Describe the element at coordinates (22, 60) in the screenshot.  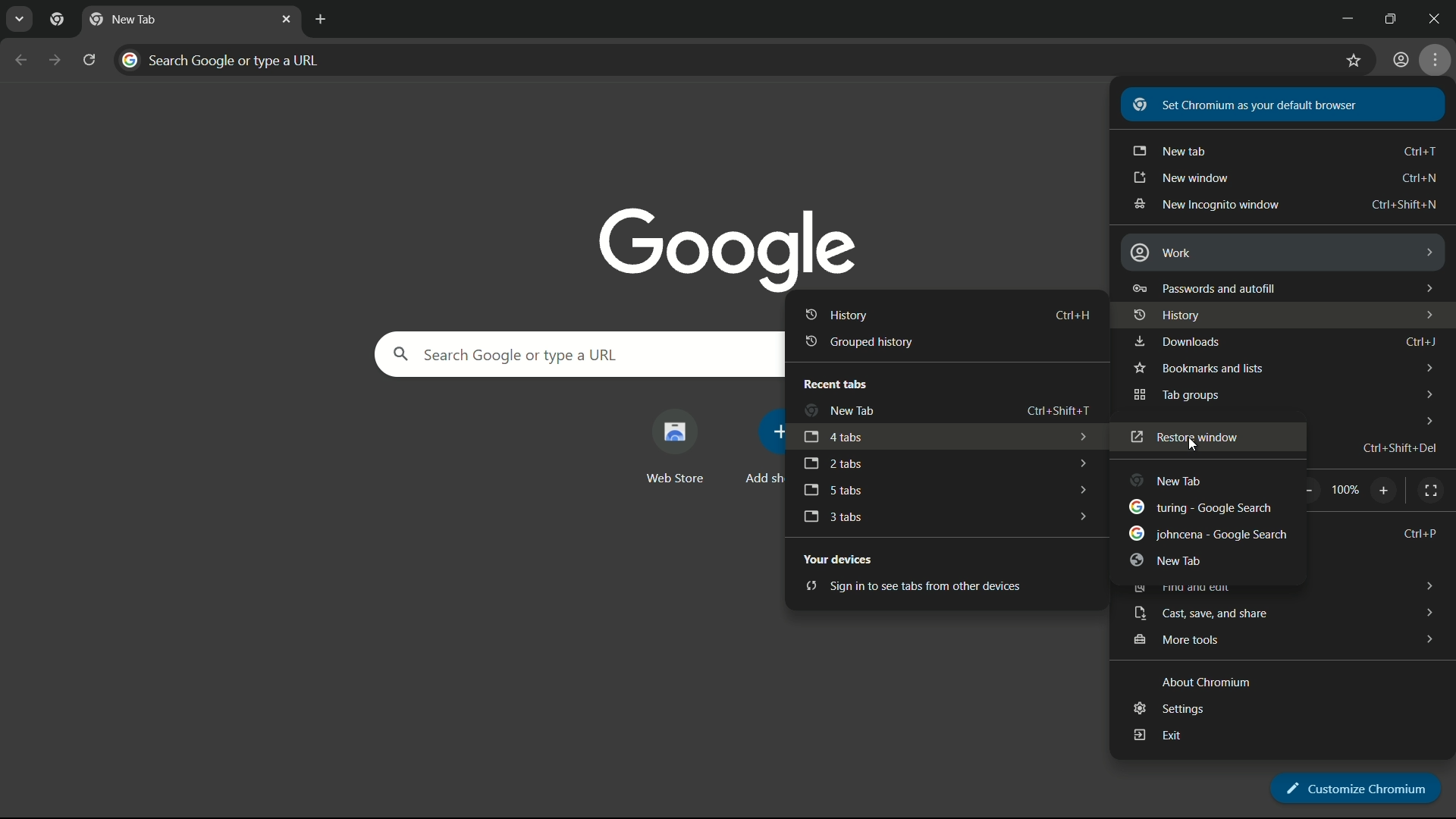
I see `back` at that location.